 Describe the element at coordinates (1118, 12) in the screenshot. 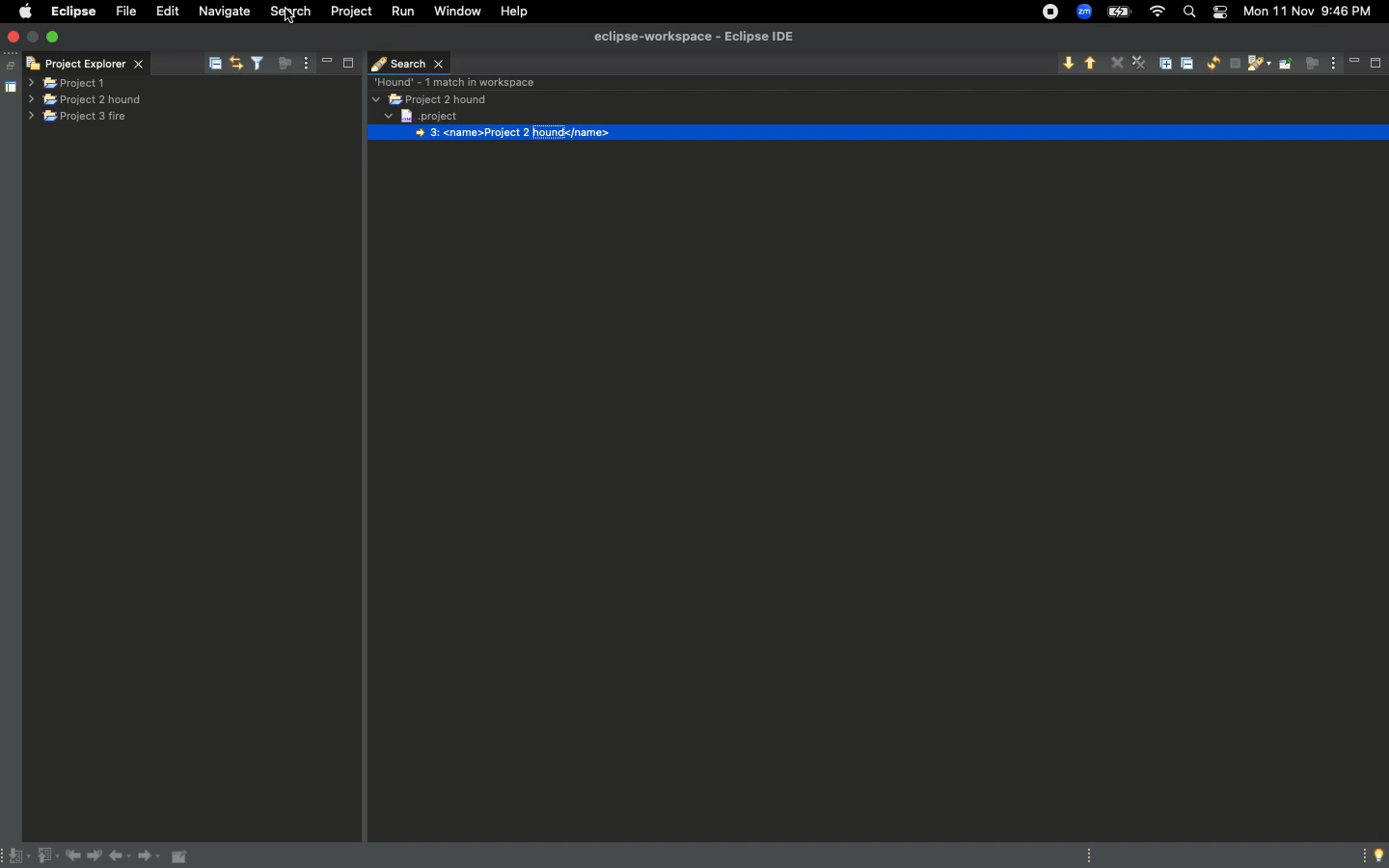

I see `Charge` at that location.